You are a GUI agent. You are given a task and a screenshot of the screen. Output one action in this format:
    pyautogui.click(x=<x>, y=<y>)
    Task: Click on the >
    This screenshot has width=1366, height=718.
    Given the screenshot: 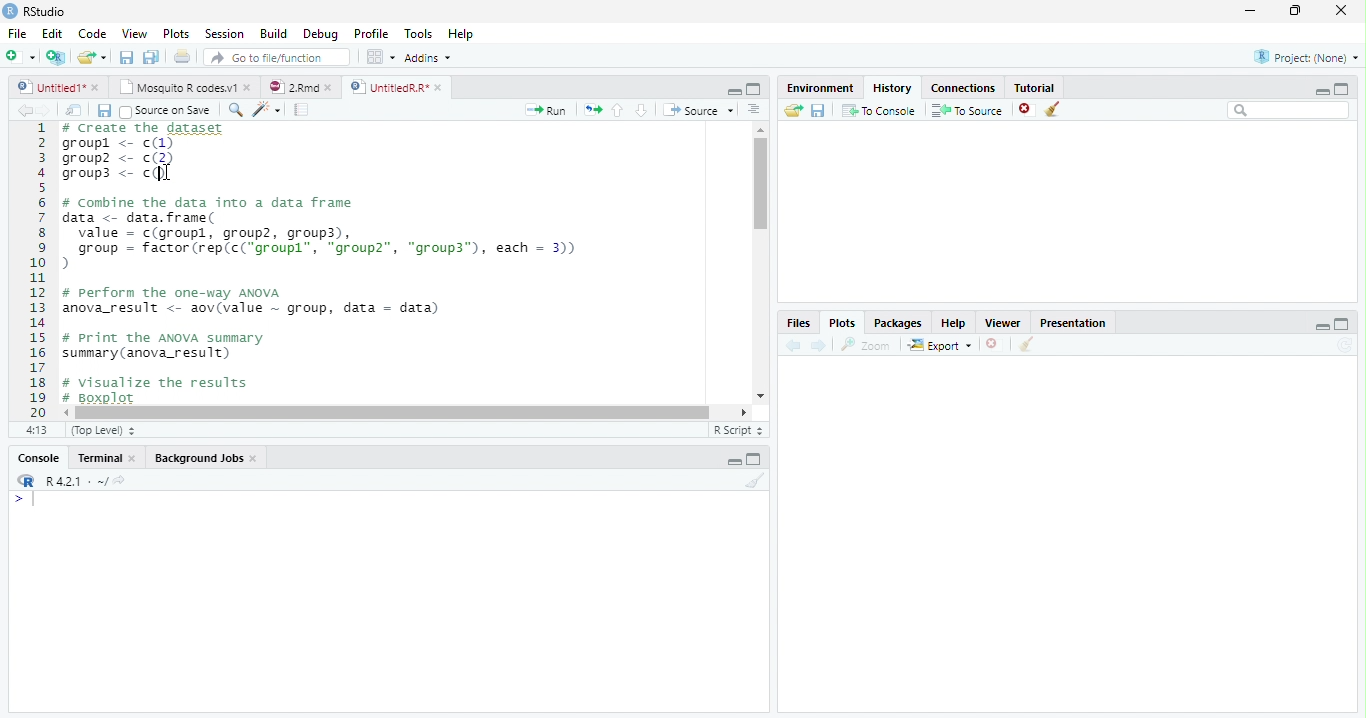 What is the action you would take?
    pyautogui.click(x=14, y=500)
    